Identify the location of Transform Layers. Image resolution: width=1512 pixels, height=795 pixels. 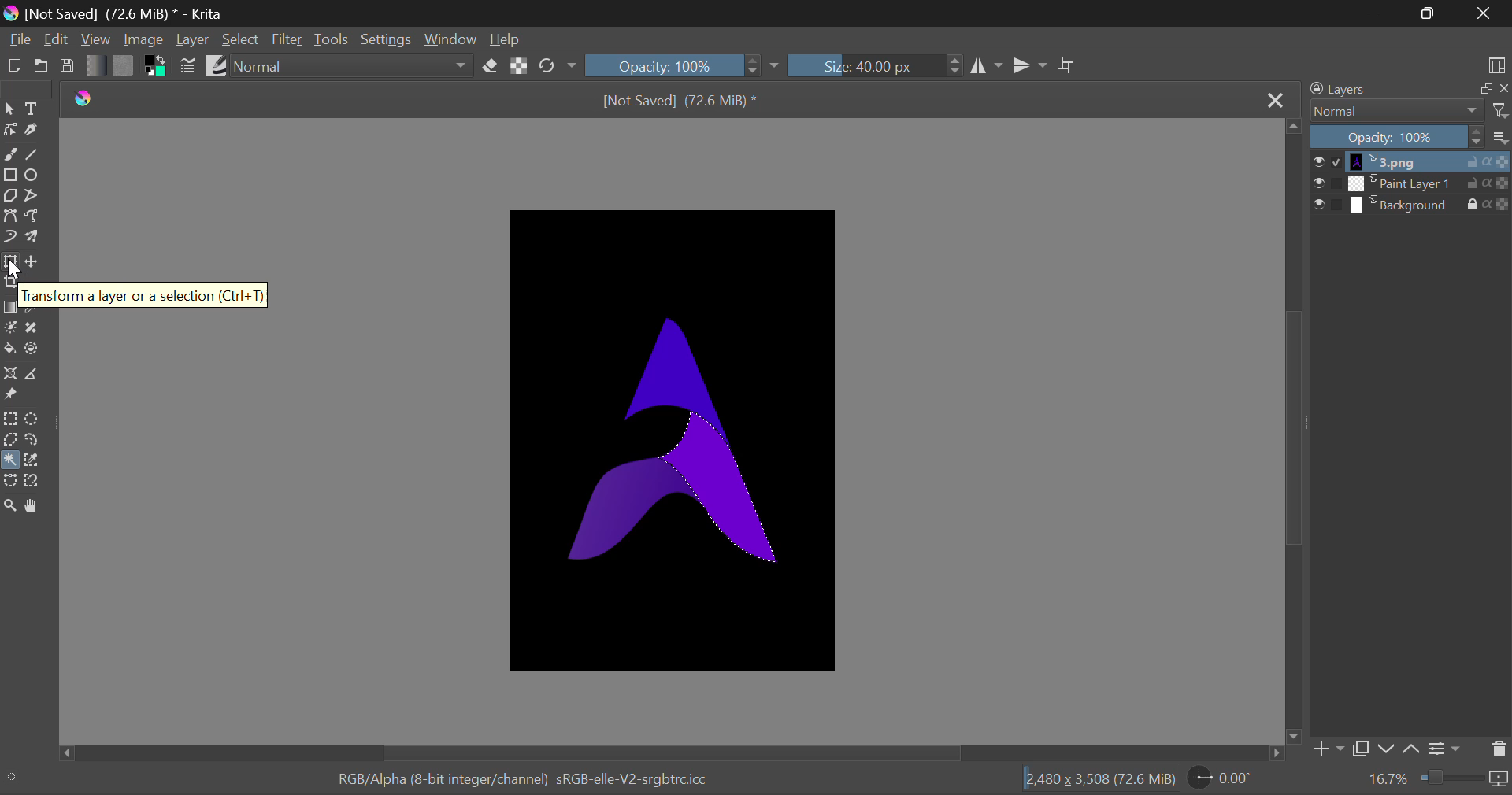
(10, 264).